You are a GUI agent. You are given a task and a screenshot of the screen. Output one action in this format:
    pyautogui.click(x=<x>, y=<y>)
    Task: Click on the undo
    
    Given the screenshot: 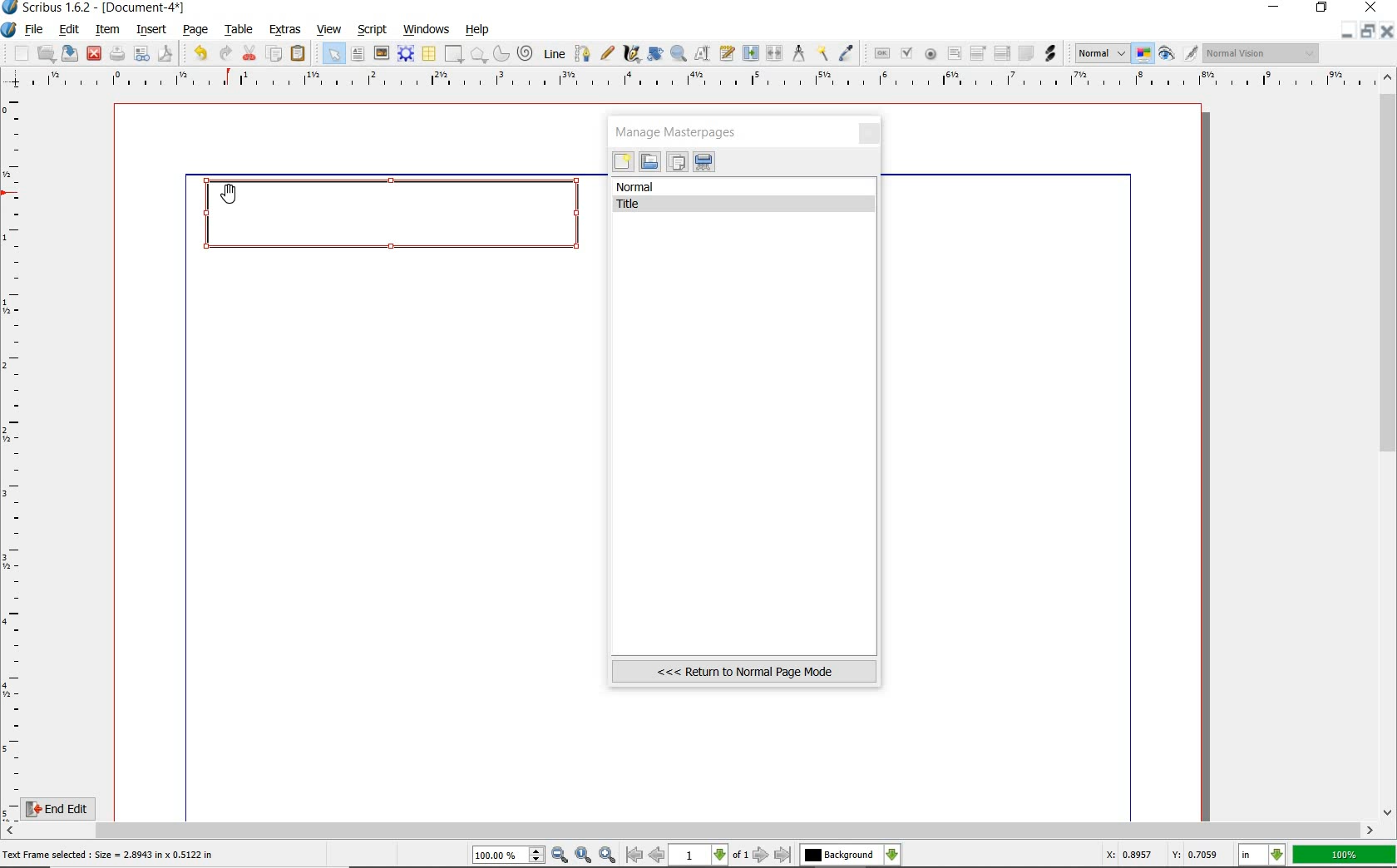 What is the action you would take?
    pyautogui.click(x=197, y=52)
    